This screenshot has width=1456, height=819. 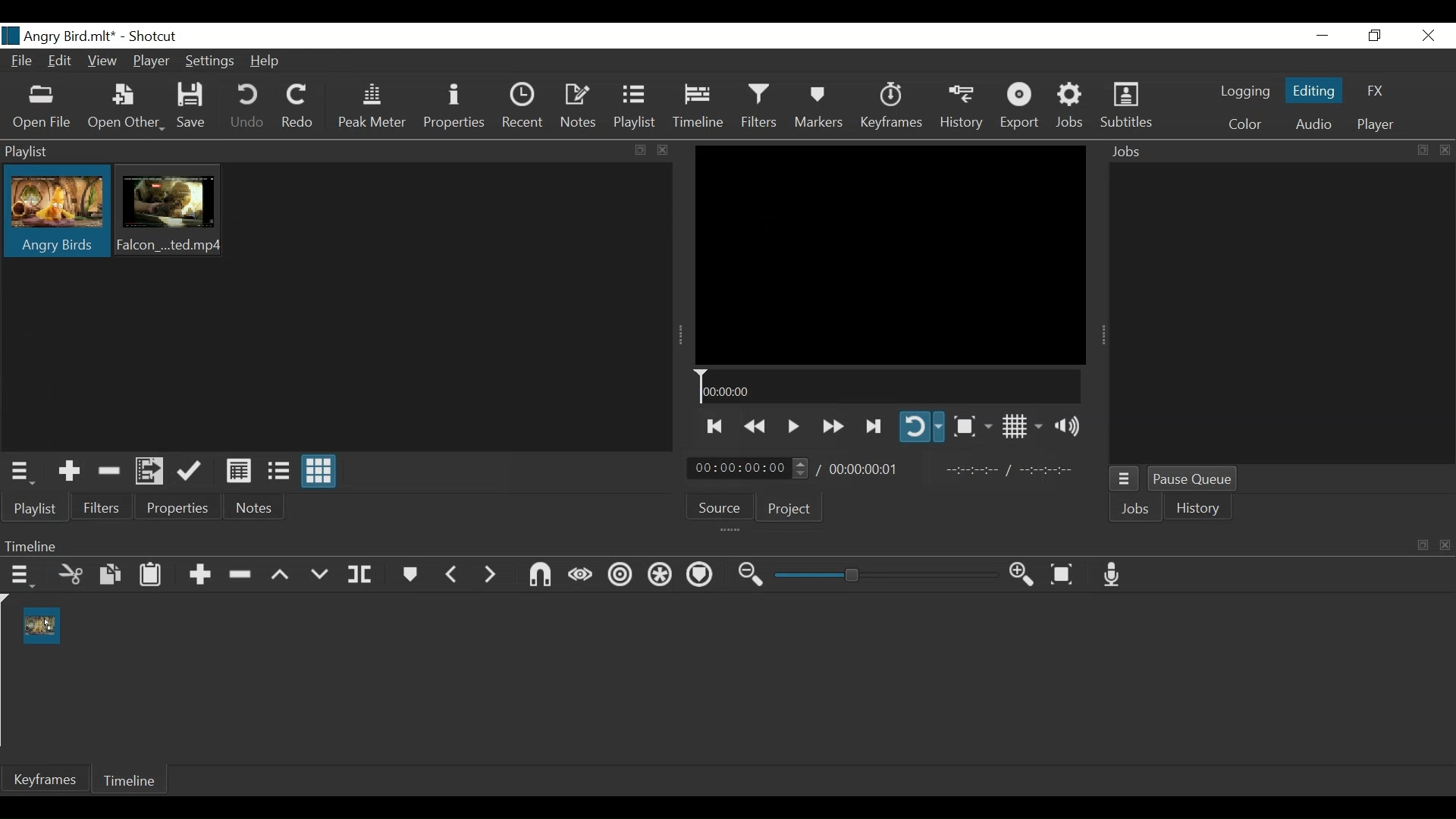 I want to click on Toggle player looping, so click(x=921, y=428).